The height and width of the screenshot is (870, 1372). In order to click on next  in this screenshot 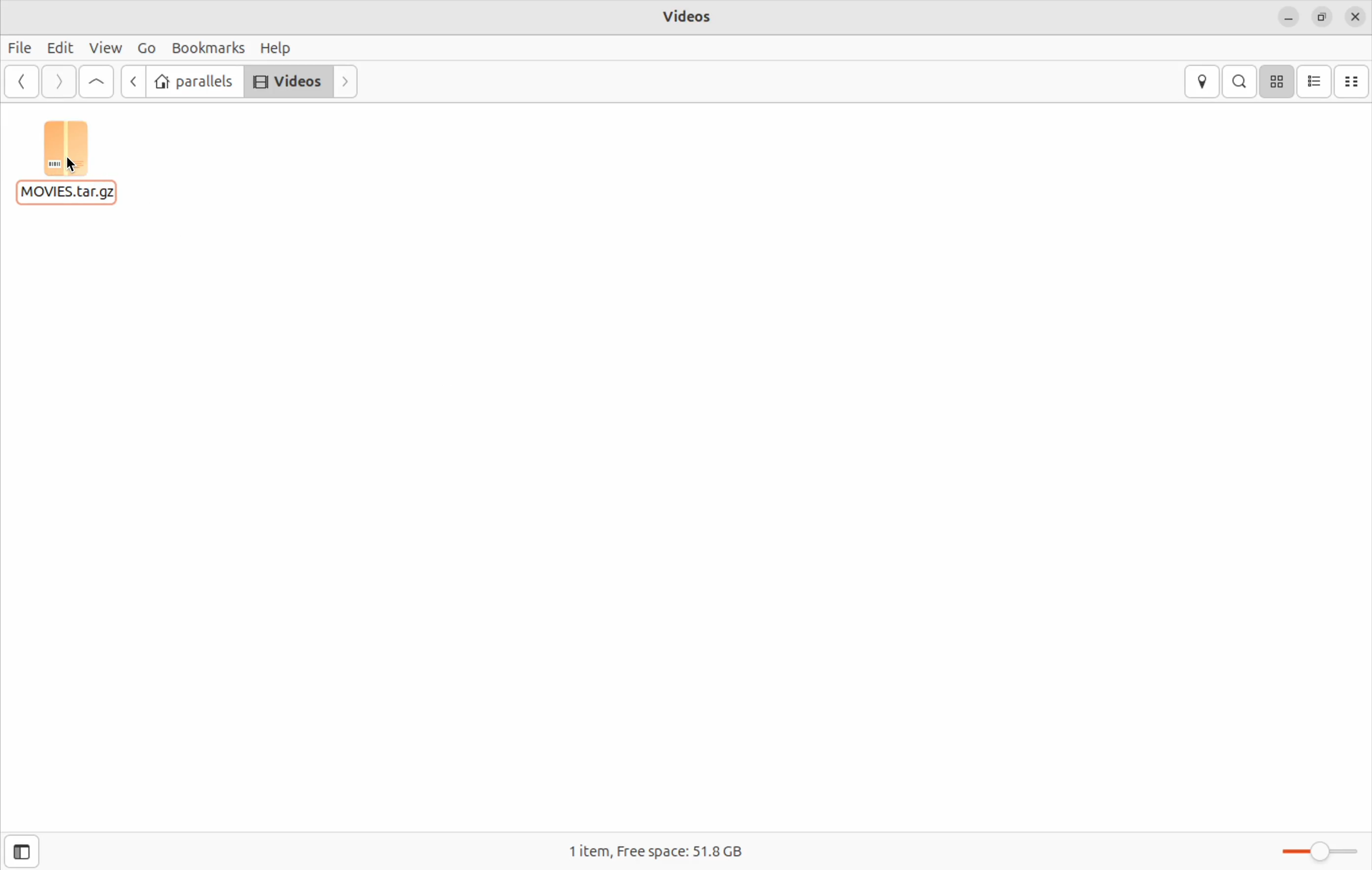, I will do `click(345, 81)`.